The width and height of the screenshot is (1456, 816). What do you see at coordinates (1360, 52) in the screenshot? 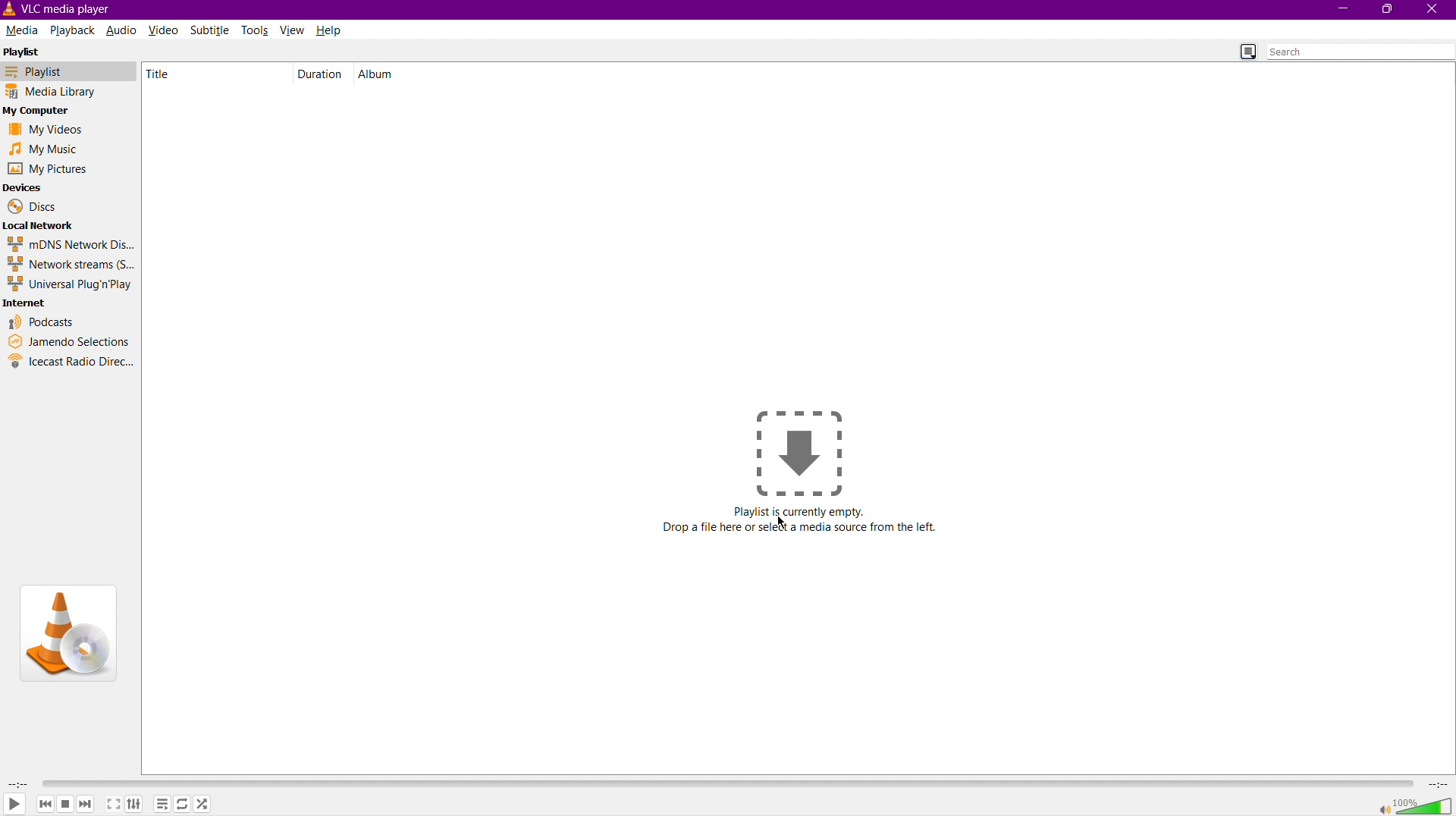
I see `Search bar` at bounding box center [1360, 52].